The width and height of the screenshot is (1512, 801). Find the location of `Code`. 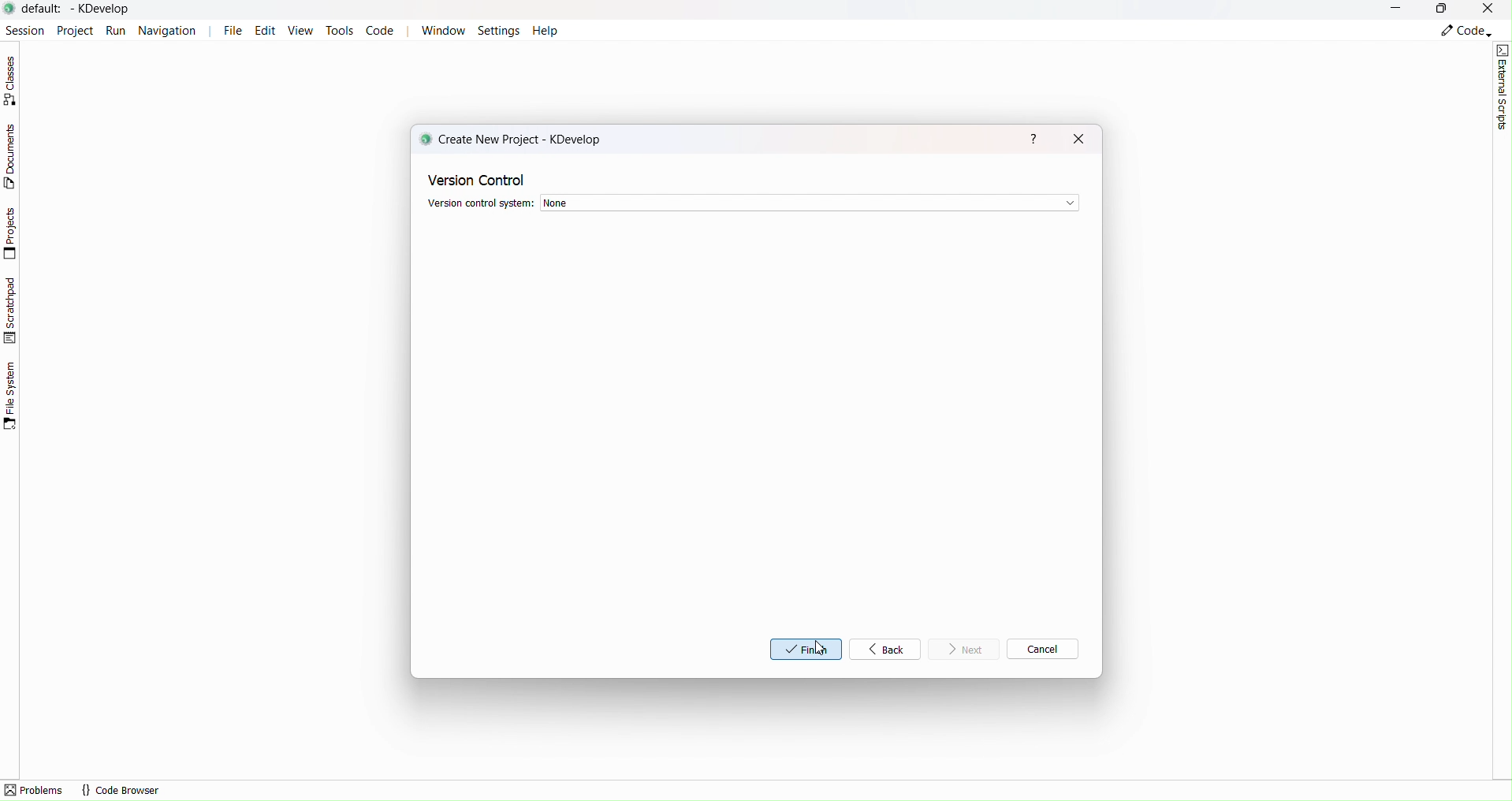

Code is located at coordinates (382, 31).